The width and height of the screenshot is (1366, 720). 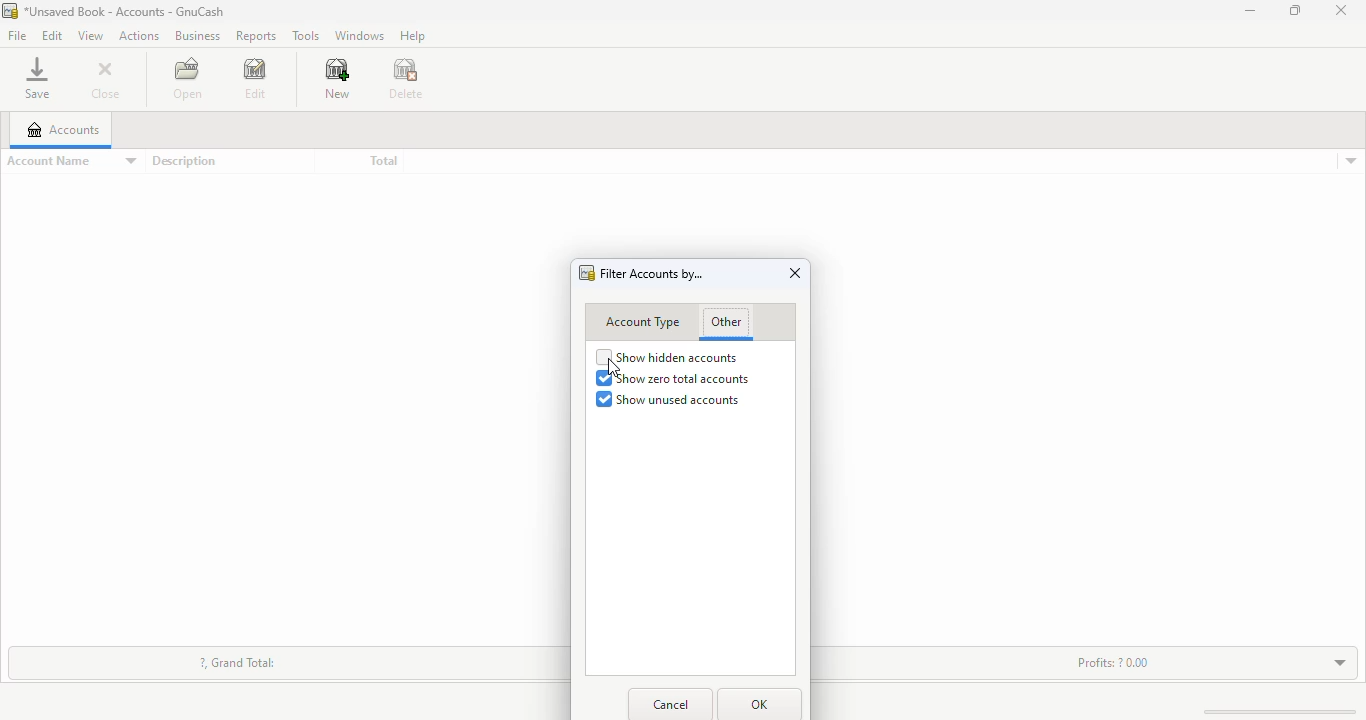 What do you see at coordinates (673, 705) in the screenshot?
I see `cancel` at bounding box center [673, 705].